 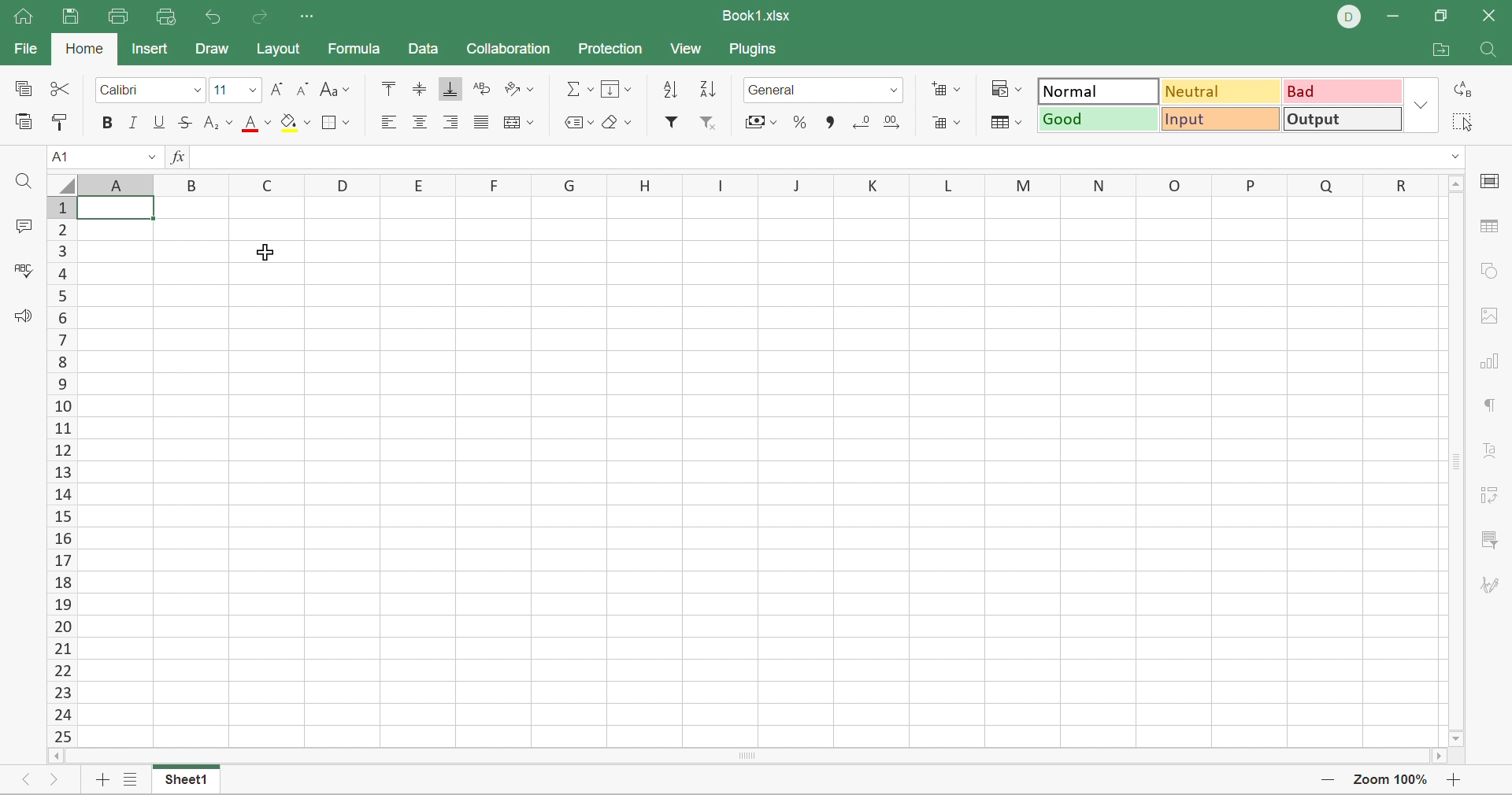 What do you see at coordinates (83, 48) in the screenshot?
I see `Home` at bounding box center [83, 48].